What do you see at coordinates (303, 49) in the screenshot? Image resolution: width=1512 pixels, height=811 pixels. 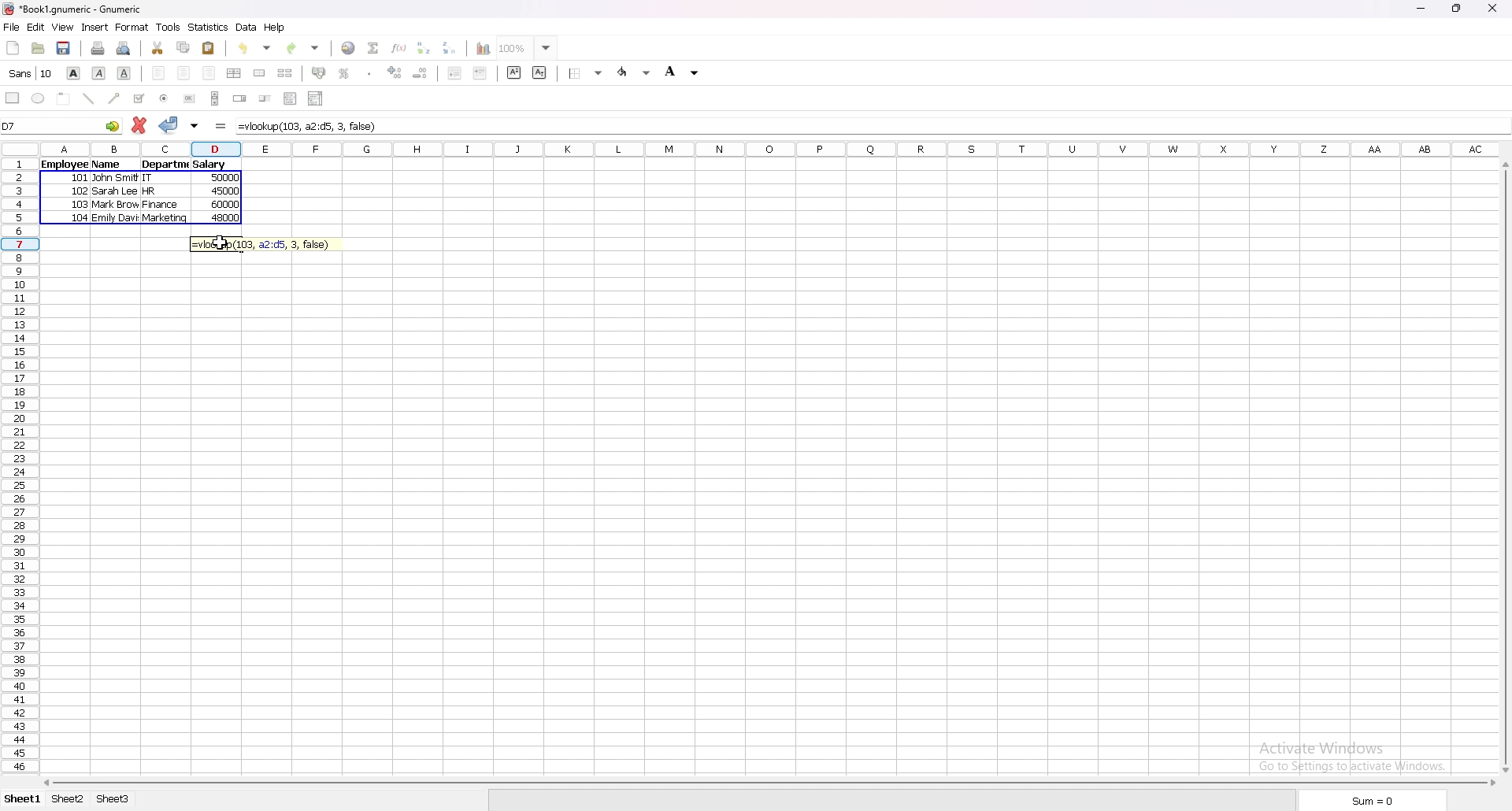 I see `redo` at bounding box center [303, 49].